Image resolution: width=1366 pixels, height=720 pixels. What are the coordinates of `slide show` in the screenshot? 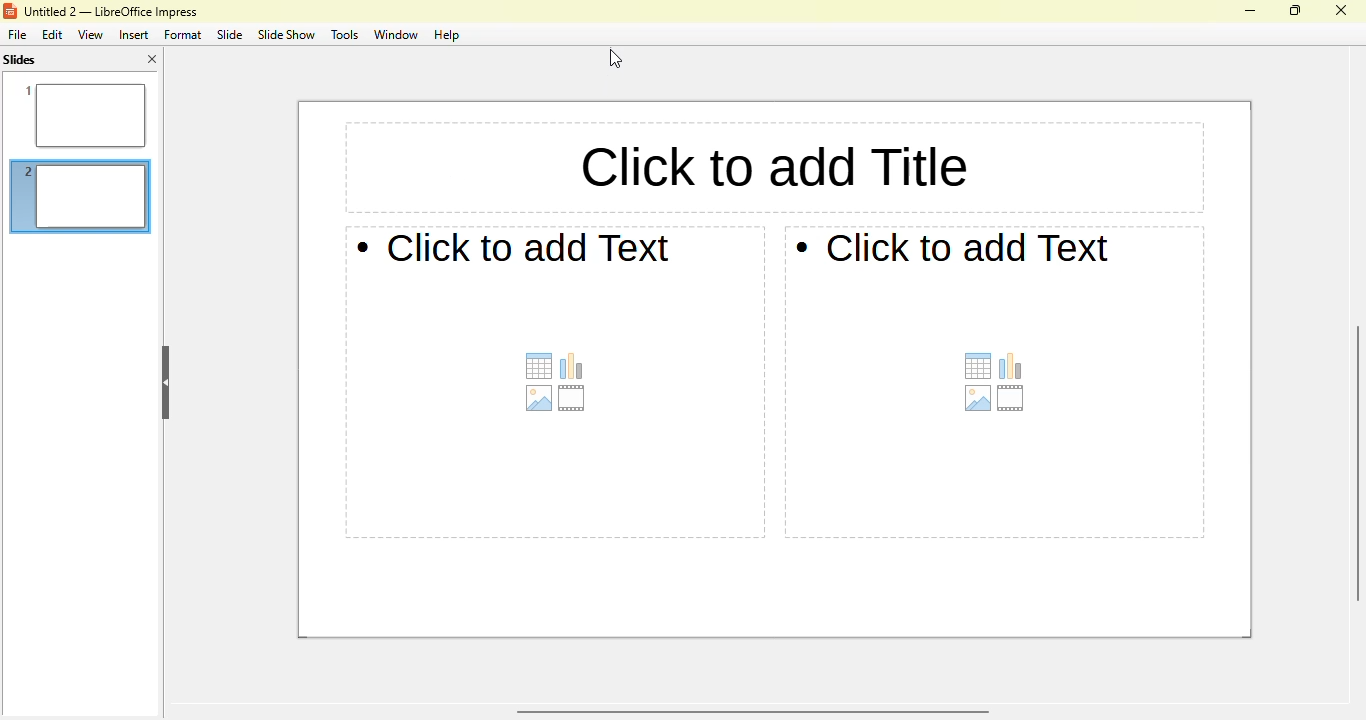 It's located at (285, 34).